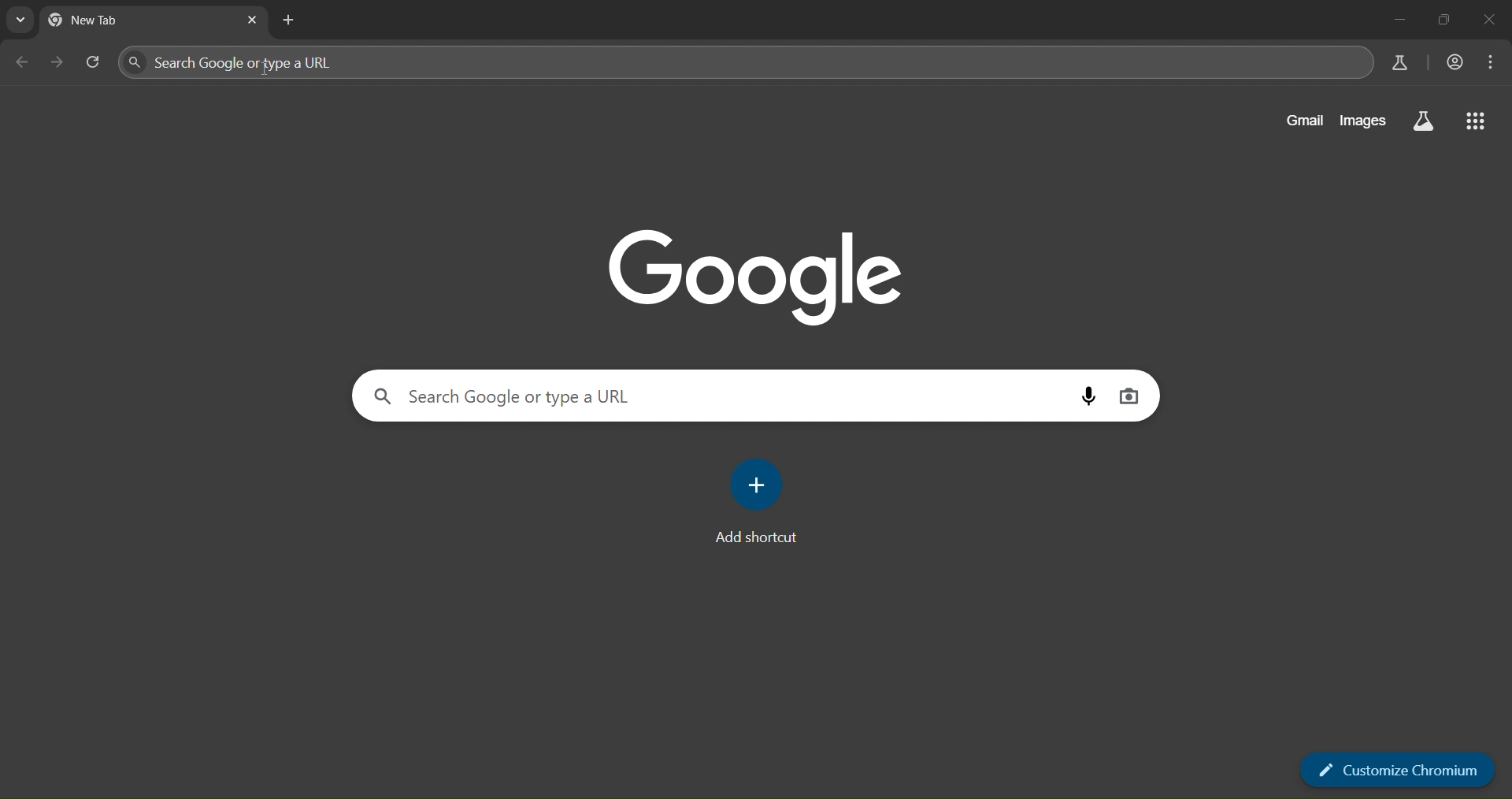 The height and width of the screenshot is (799, 1512). I want to click on cursor, so click(266, 72).